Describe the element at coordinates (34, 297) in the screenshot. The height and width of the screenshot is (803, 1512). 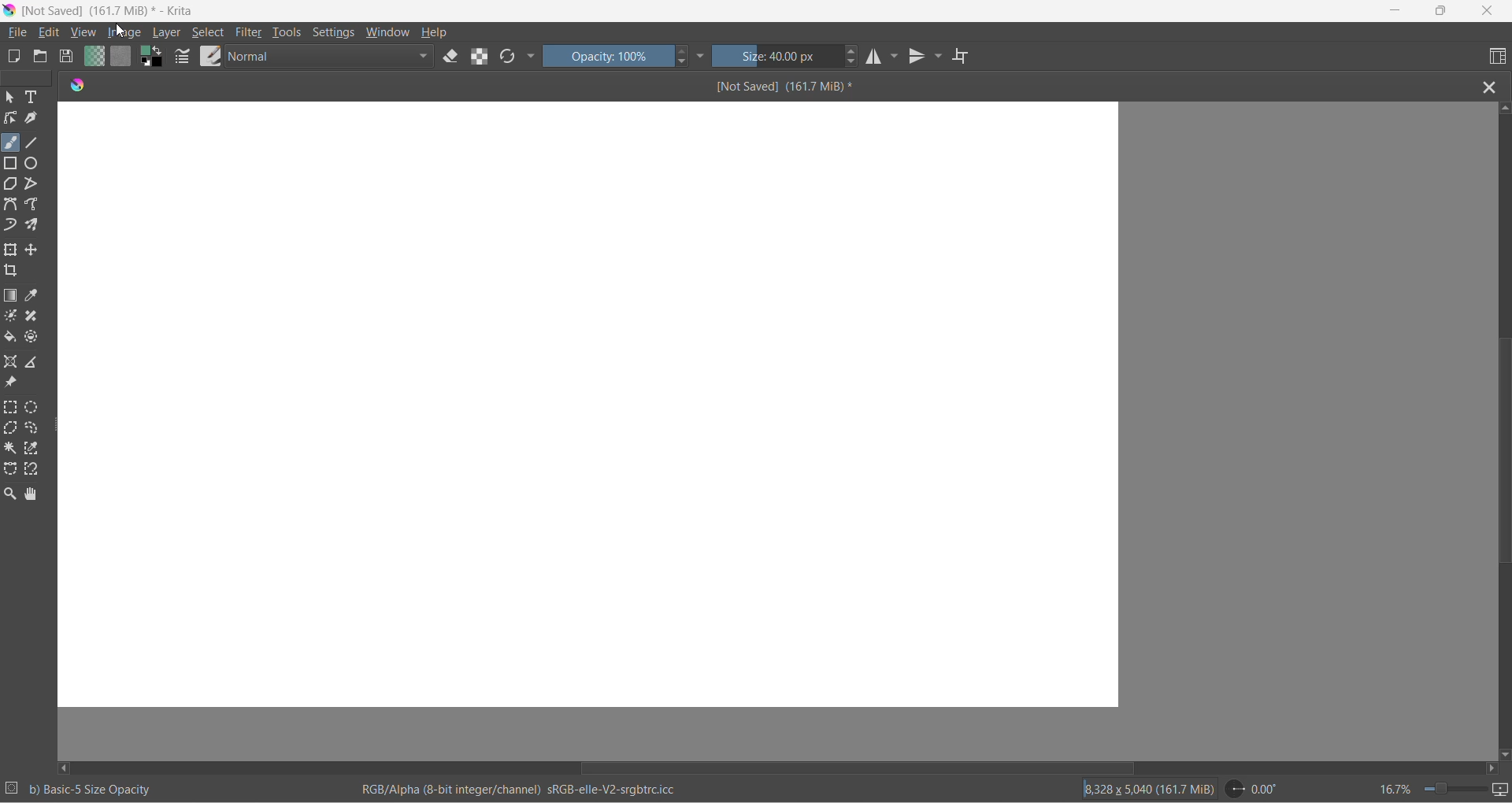
I see `sample a color` at that location.